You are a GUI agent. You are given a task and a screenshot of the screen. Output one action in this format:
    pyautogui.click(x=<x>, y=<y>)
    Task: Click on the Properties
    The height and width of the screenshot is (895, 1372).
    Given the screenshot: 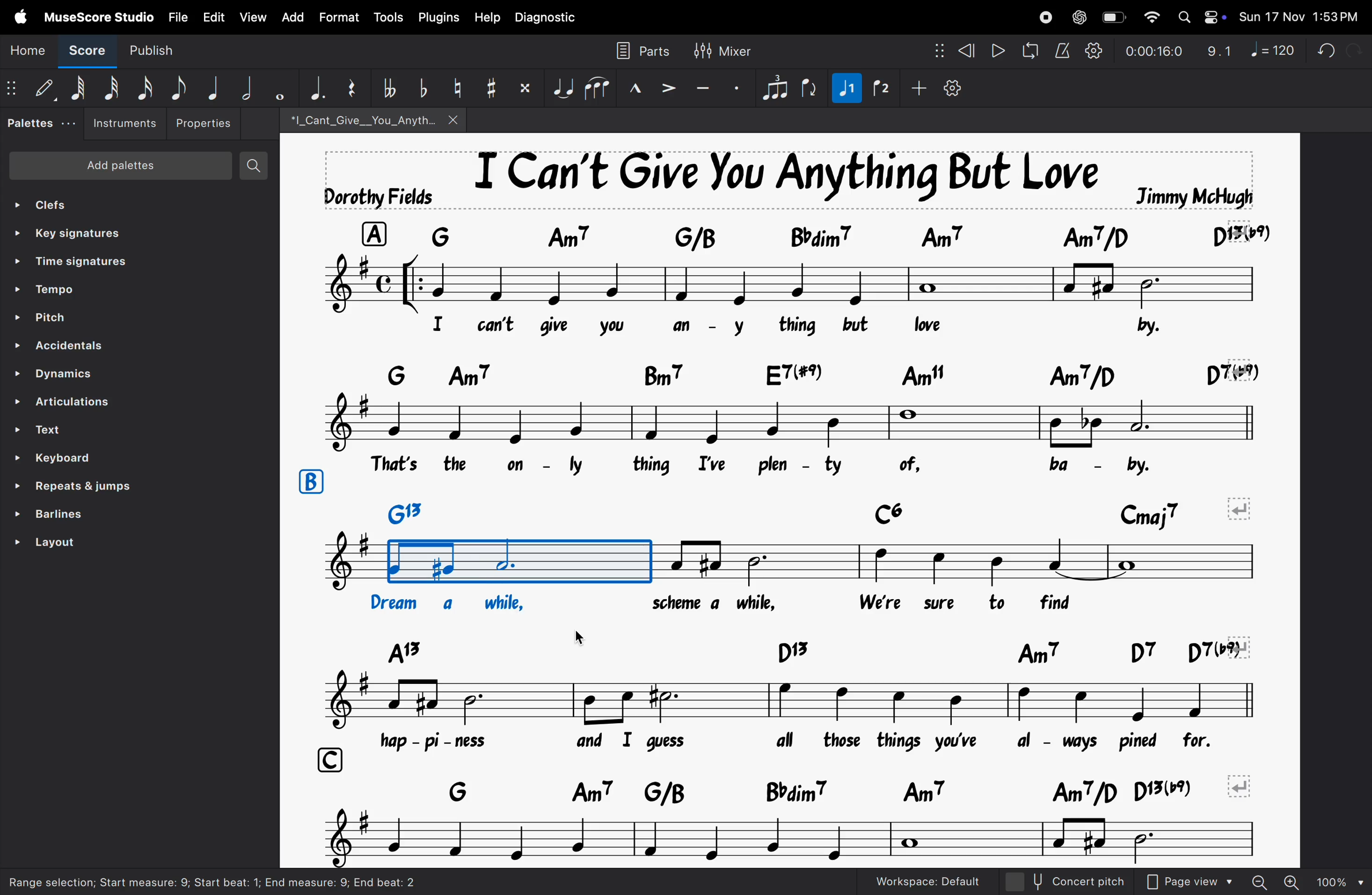 What is the action you would take?
    pyautogui.click(x=205, y=123)
    